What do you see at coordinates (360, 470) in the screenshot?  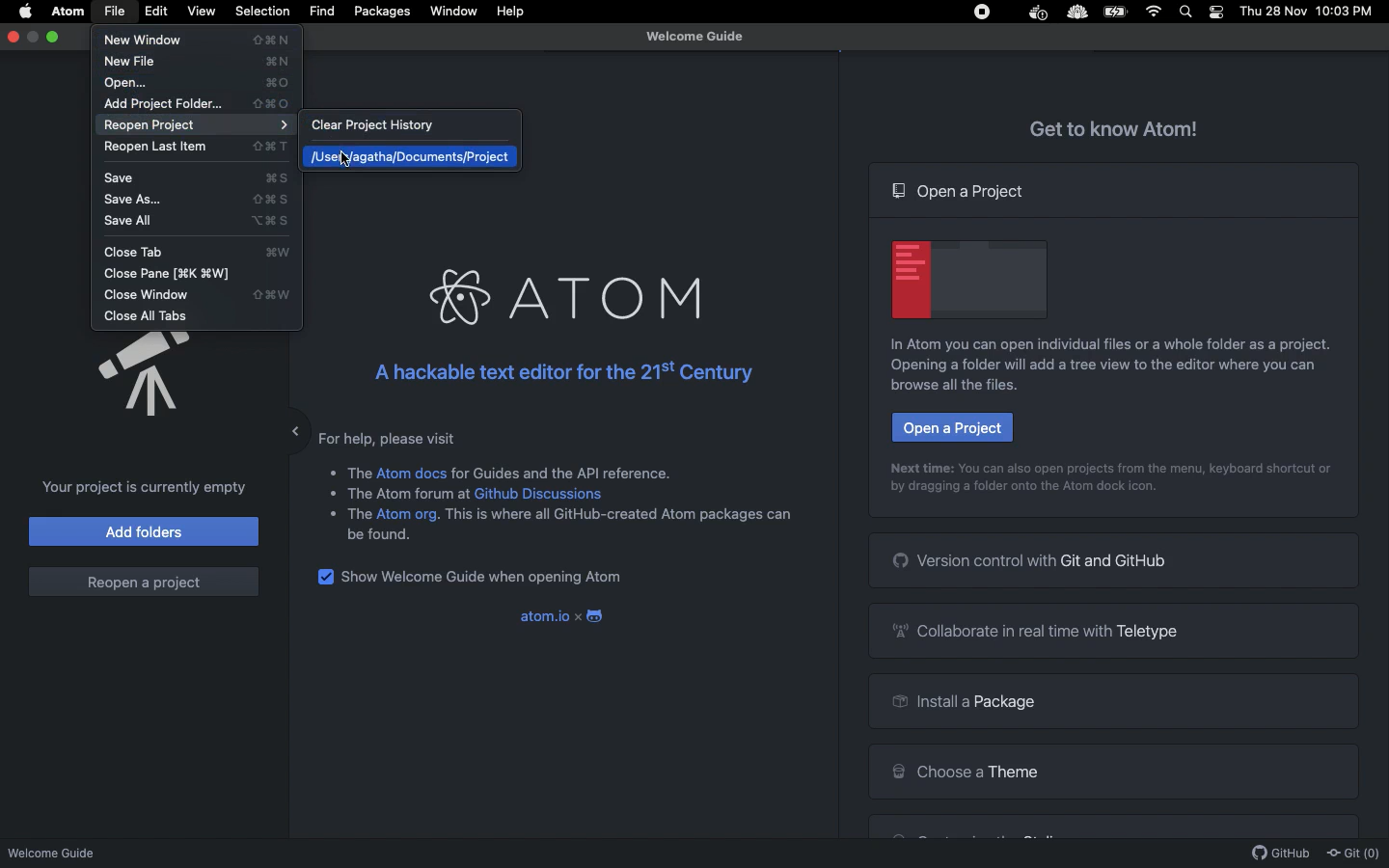 I see `` at bounding box center [360, 470].